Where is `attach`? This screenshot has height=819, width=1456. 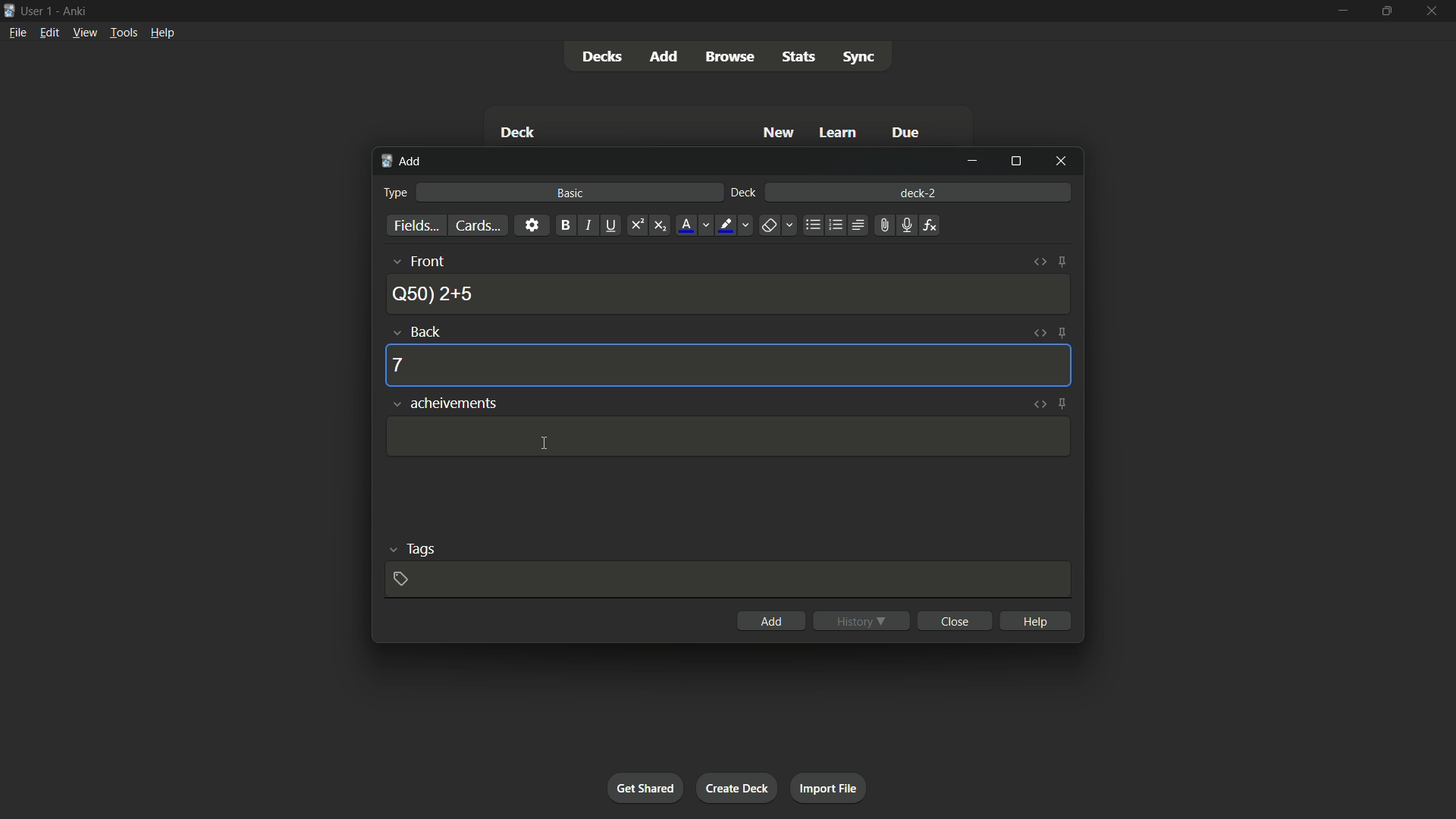 attach is located at coordinates (883, 226).